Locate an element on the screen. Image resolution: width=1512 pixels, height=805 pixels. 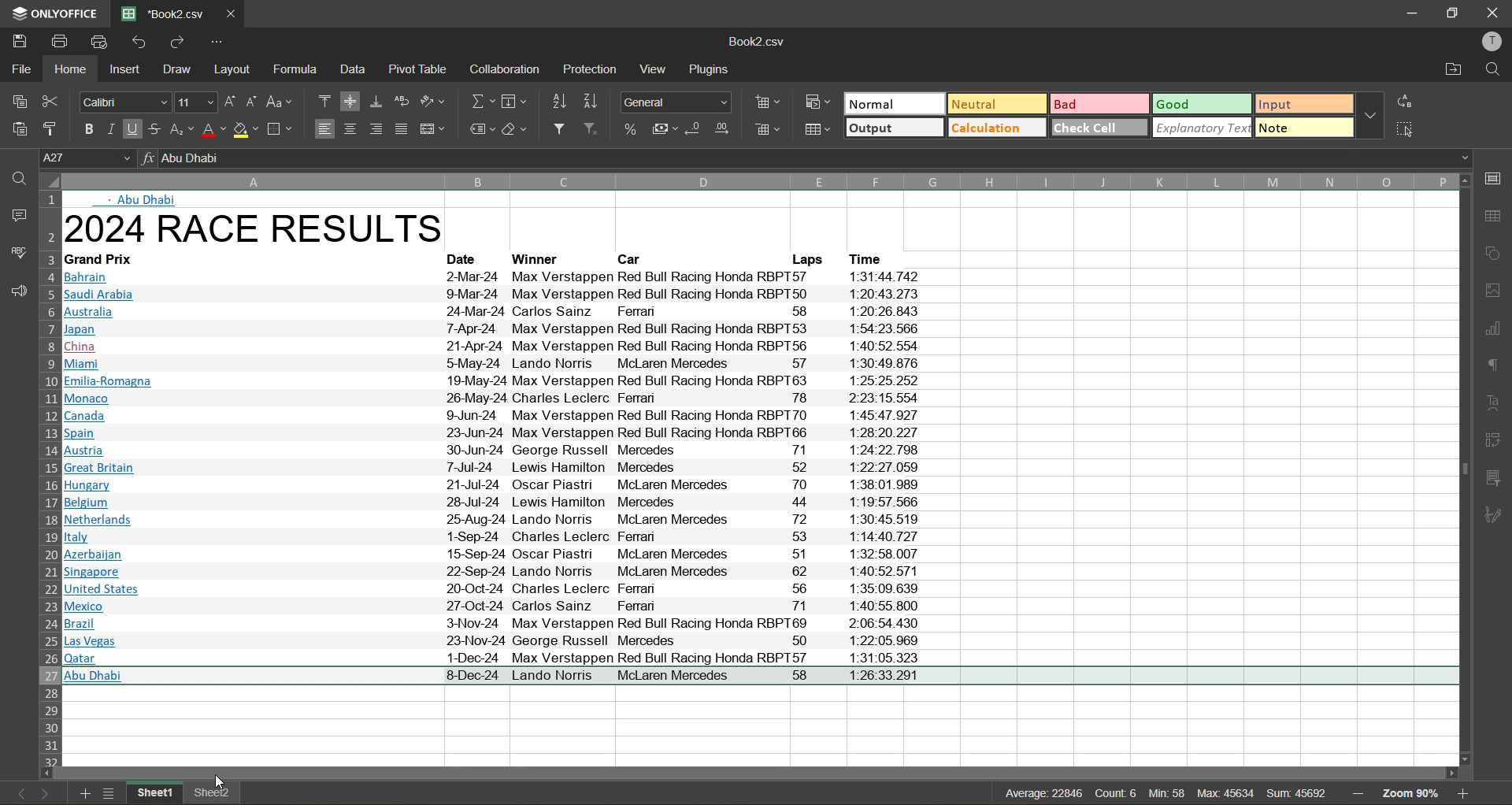
open location is located at coordinates (1451, 70).